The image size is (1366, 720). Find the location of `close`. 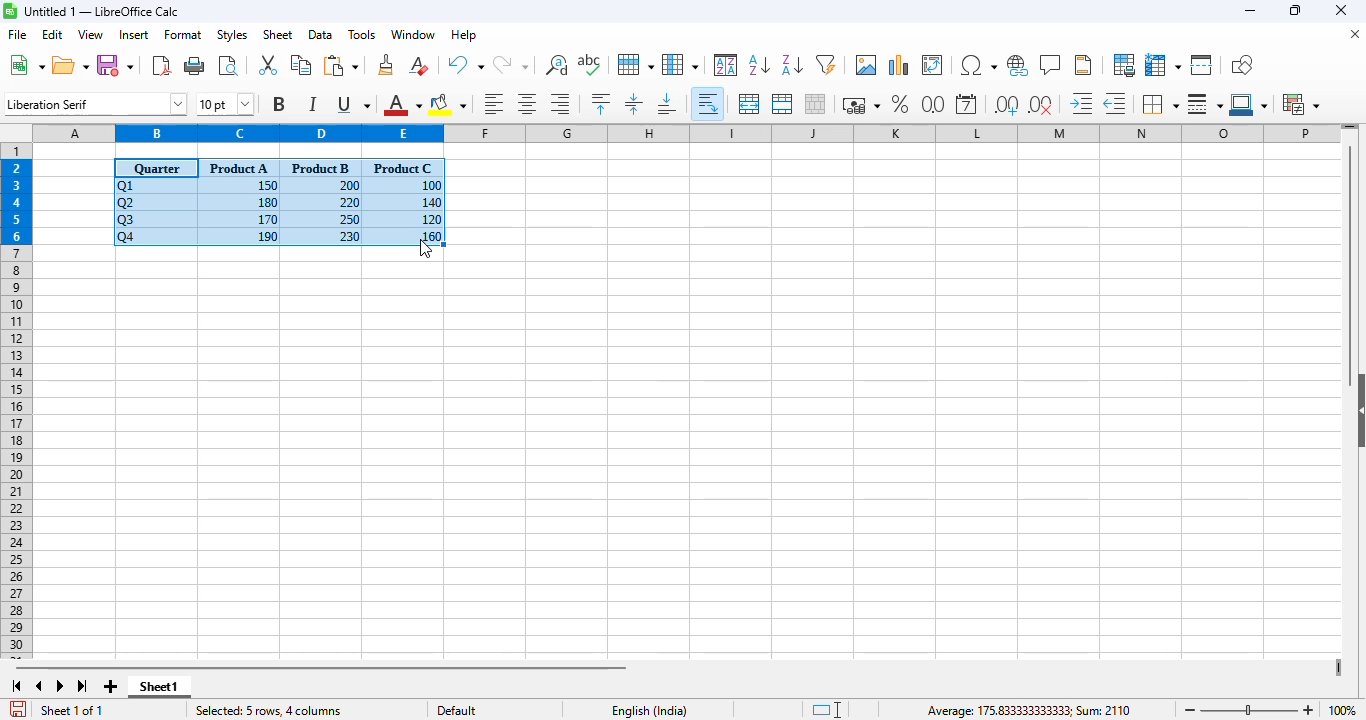

close is located at coordinates (1340, 10).